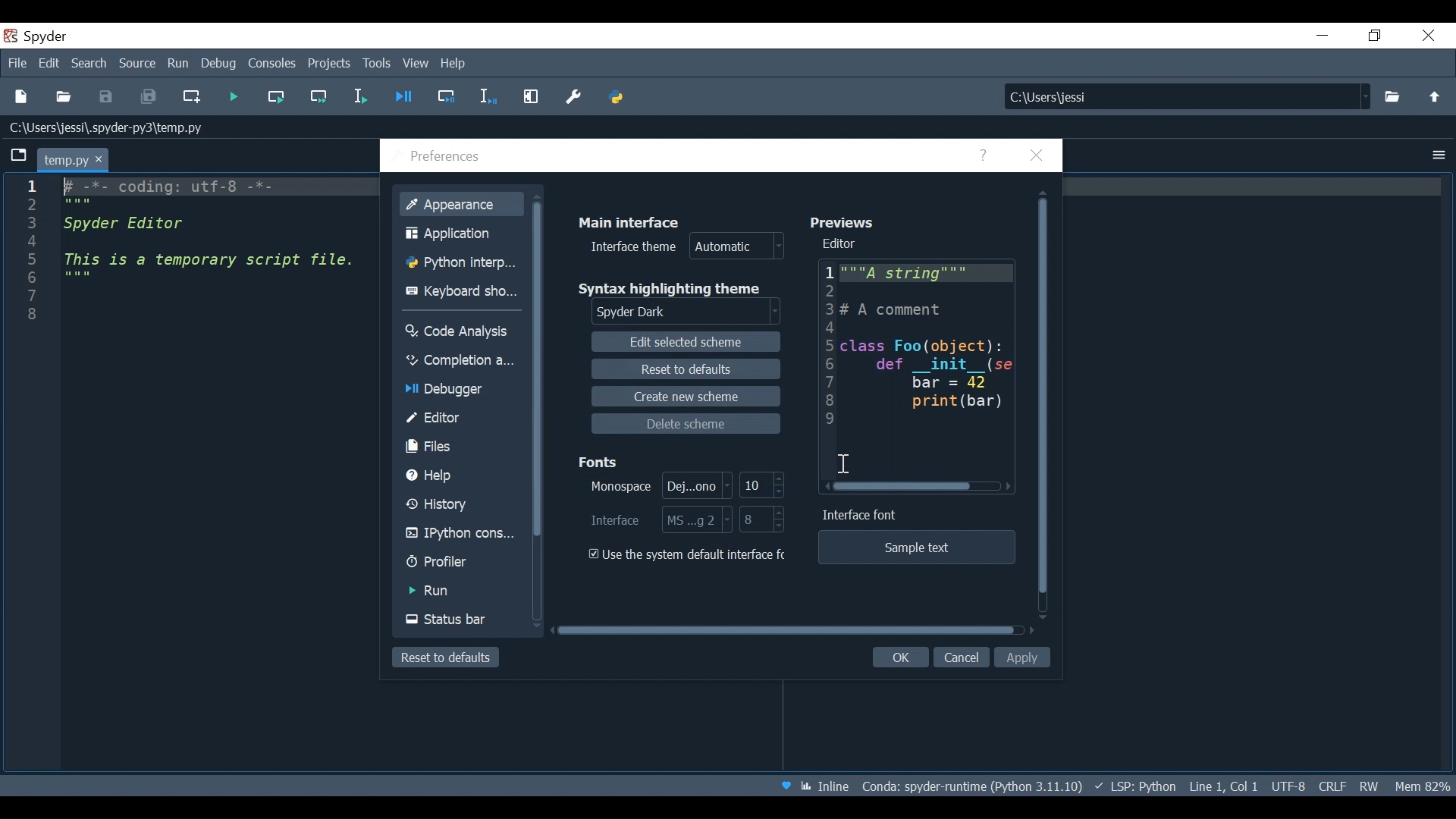  What do you see at coordinates (1419, 786) in the screenshot?
I see `Memory Usage` at bounding box center [1419, 786].